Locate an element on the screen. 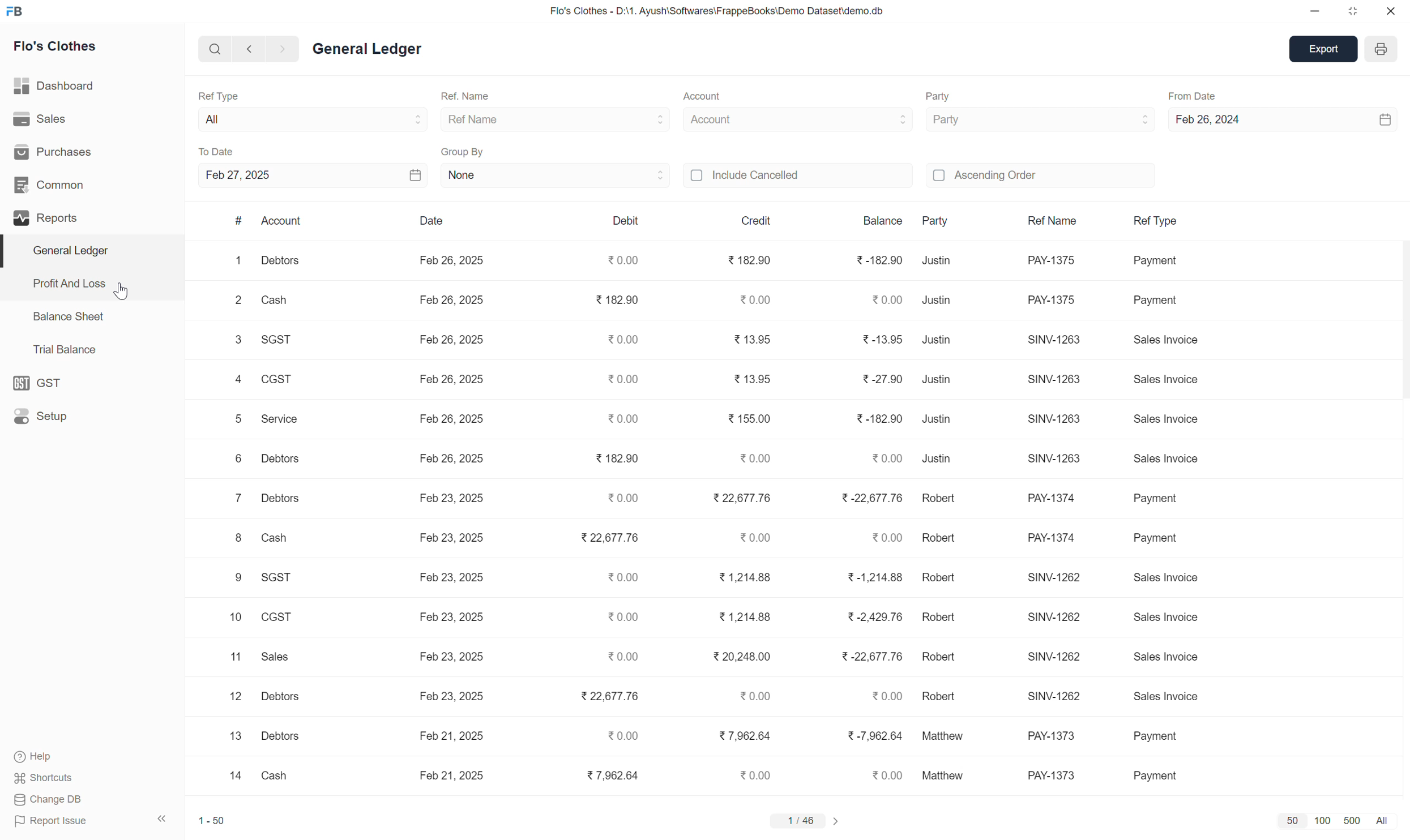  ₹-182.90 is located at coordinates (876, 260).